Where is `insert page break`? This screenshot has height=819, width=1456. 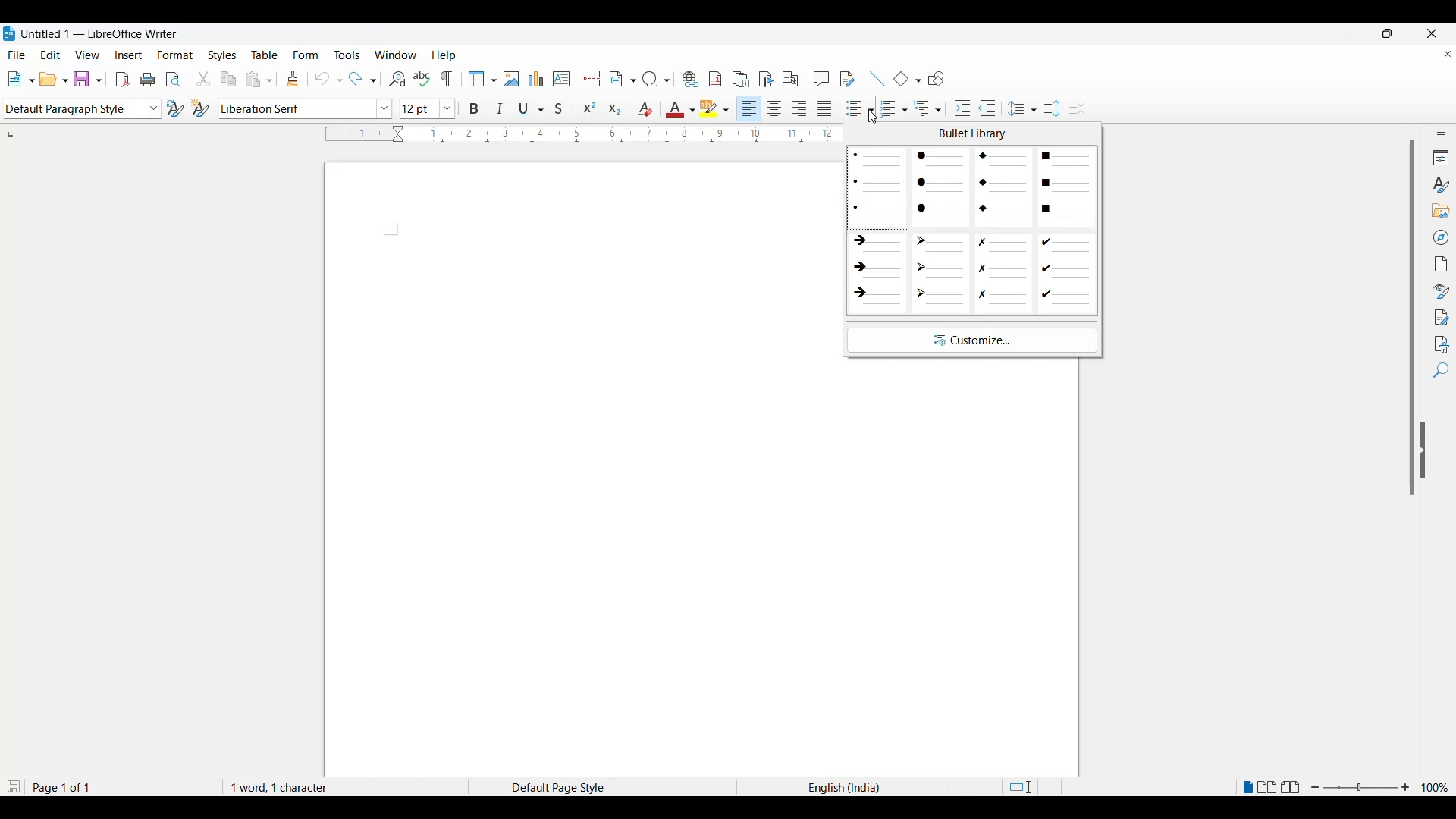 insert page break is located at coordinates (590, 78).